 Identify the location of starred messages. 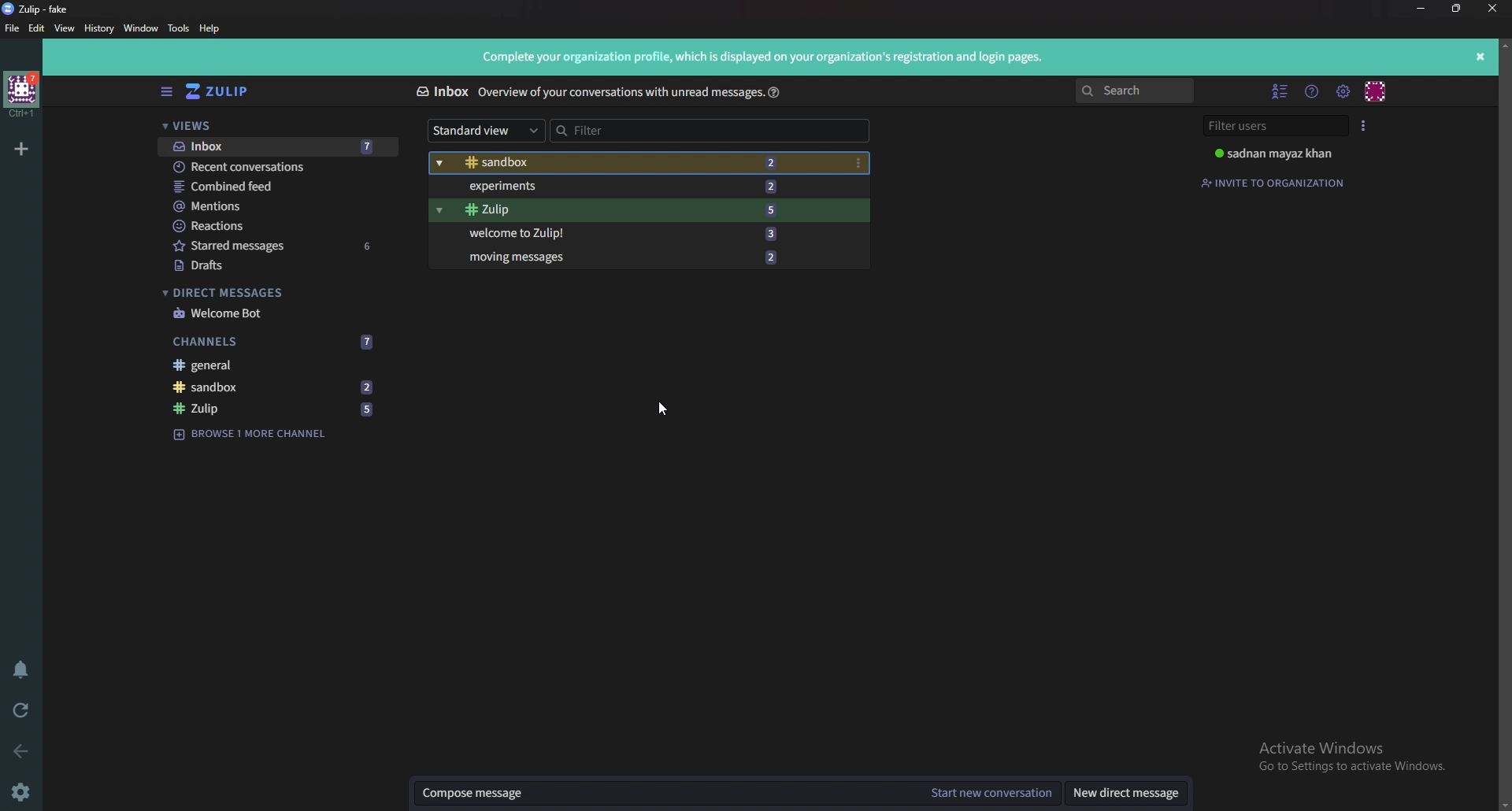
(280, 246).